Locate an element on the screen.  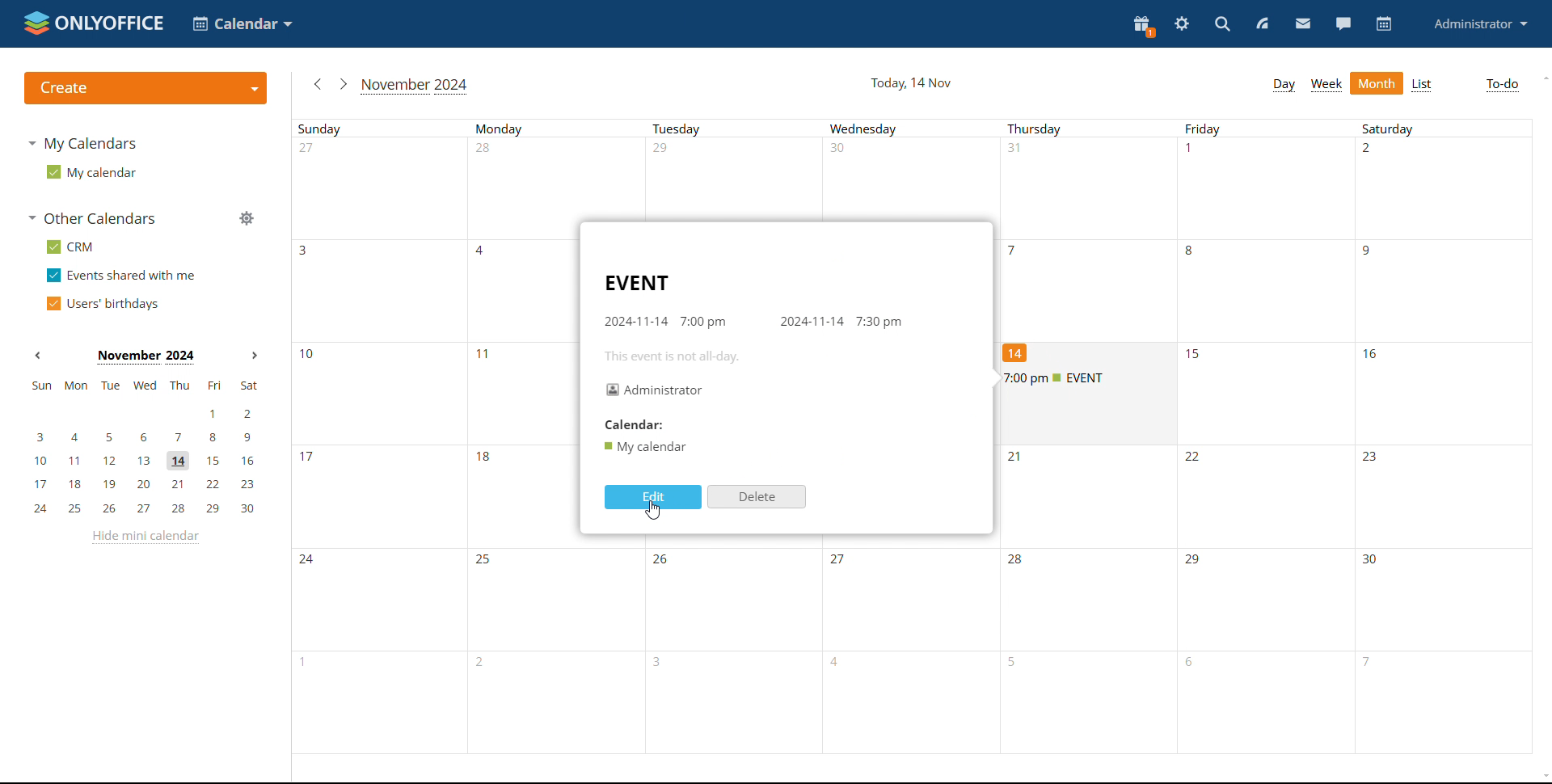
start date is located at coordinates (634, 322).